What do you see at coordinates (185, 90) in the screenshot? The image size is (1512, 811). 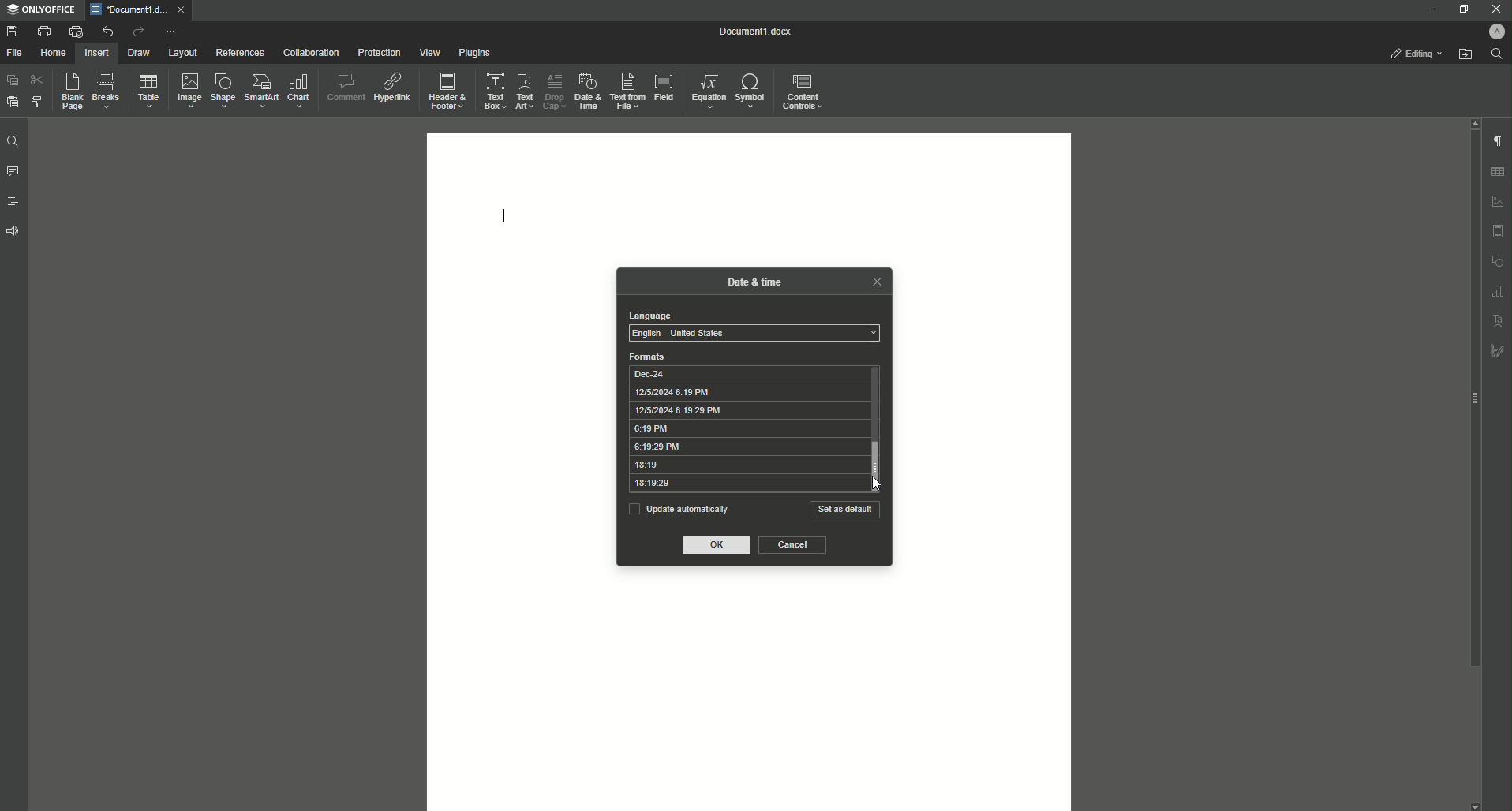 I see `Image` at bounding box center [185, 90].